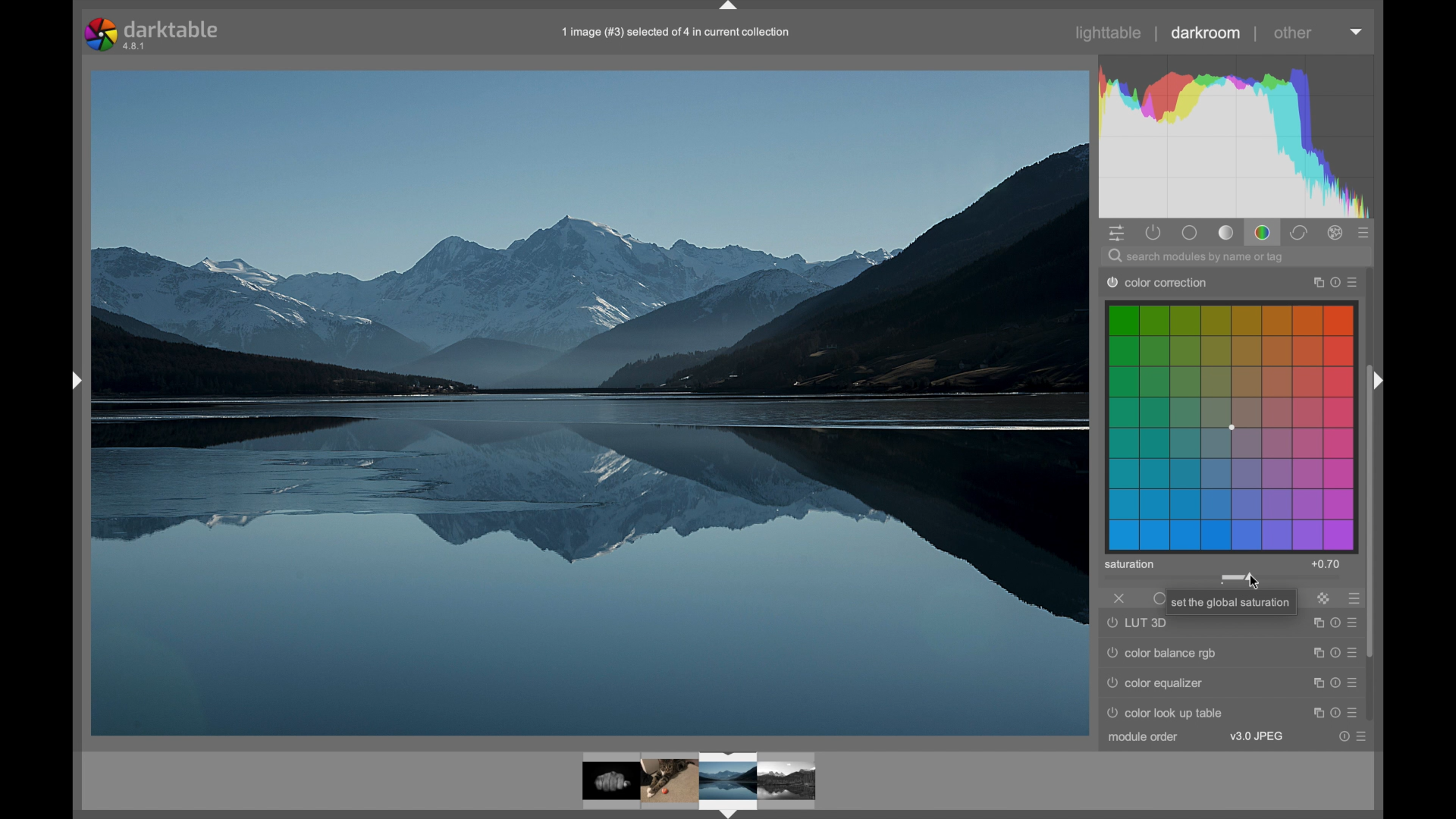 The height and width of the screenshot is (819, 1456). What do you see at coordinates (729, 785) in the screenshot?
I see `image` at bounding box center [729, 785].